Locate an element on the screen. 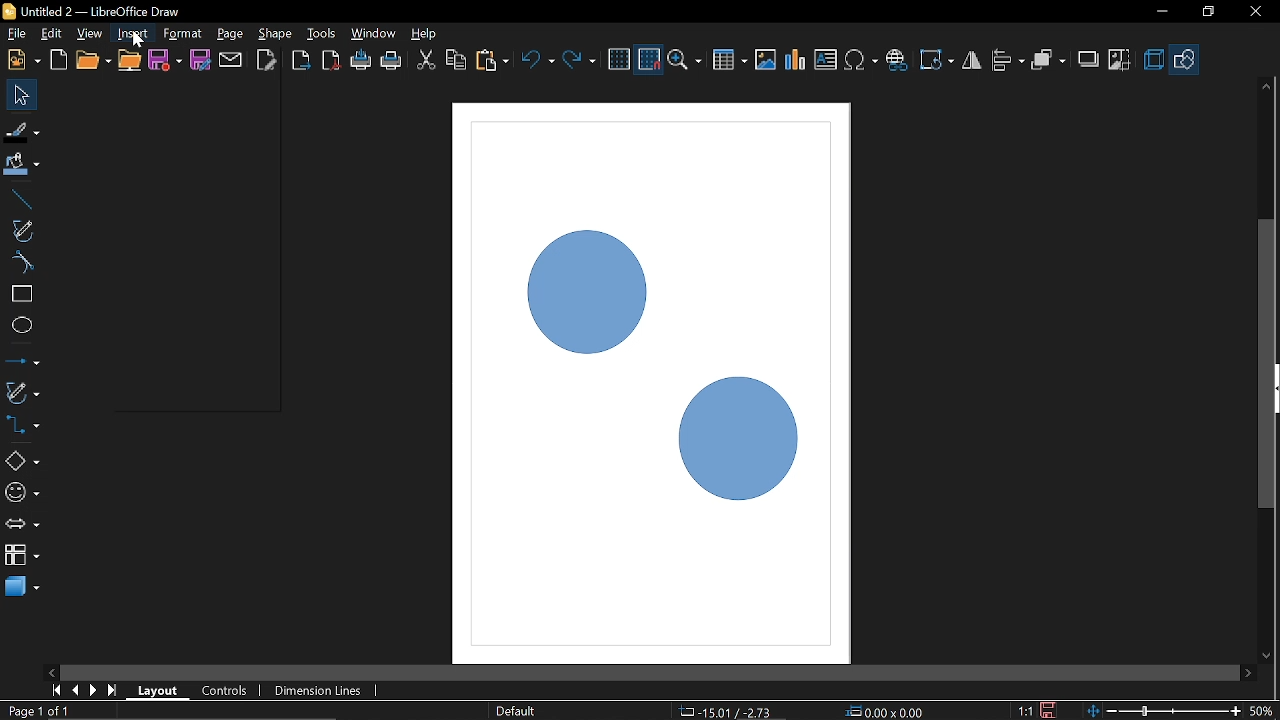  Save is located at coordinates (166, 62).